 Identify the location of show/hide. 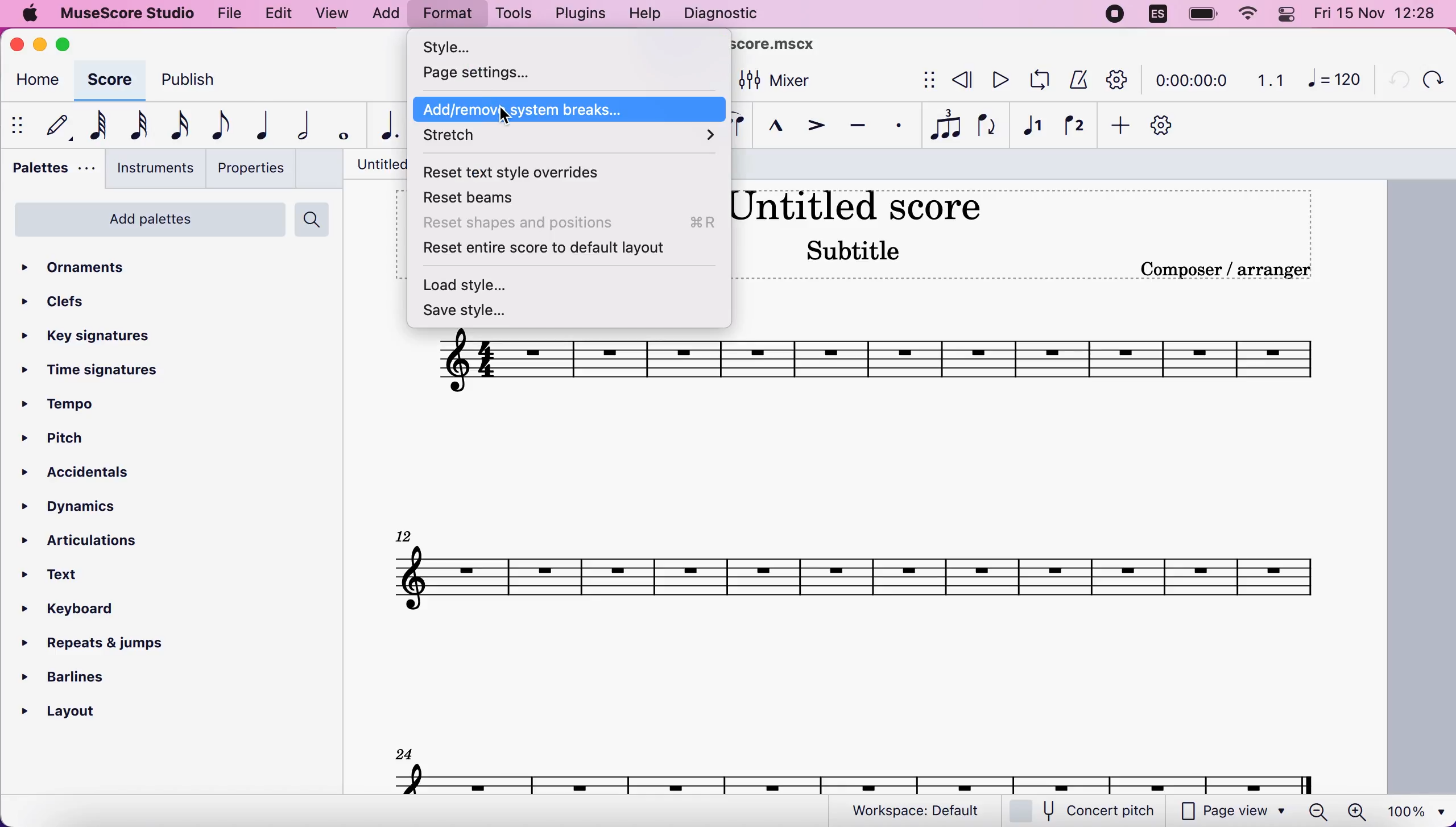
(19, 125).